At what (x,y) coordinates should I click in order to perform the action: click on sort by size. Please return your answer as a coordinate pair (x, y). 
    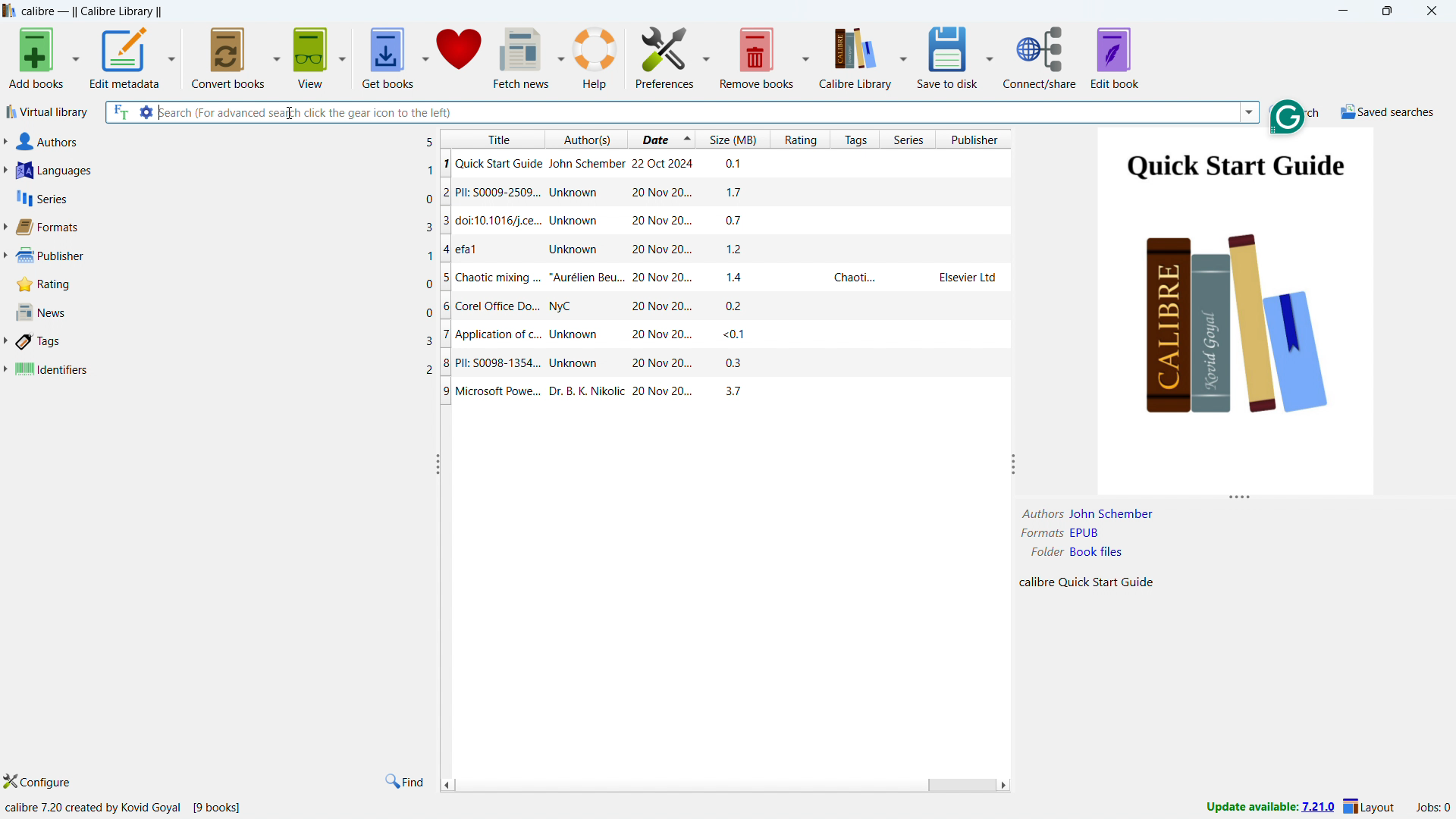
    Looking at the image, I should click on (733, 139).